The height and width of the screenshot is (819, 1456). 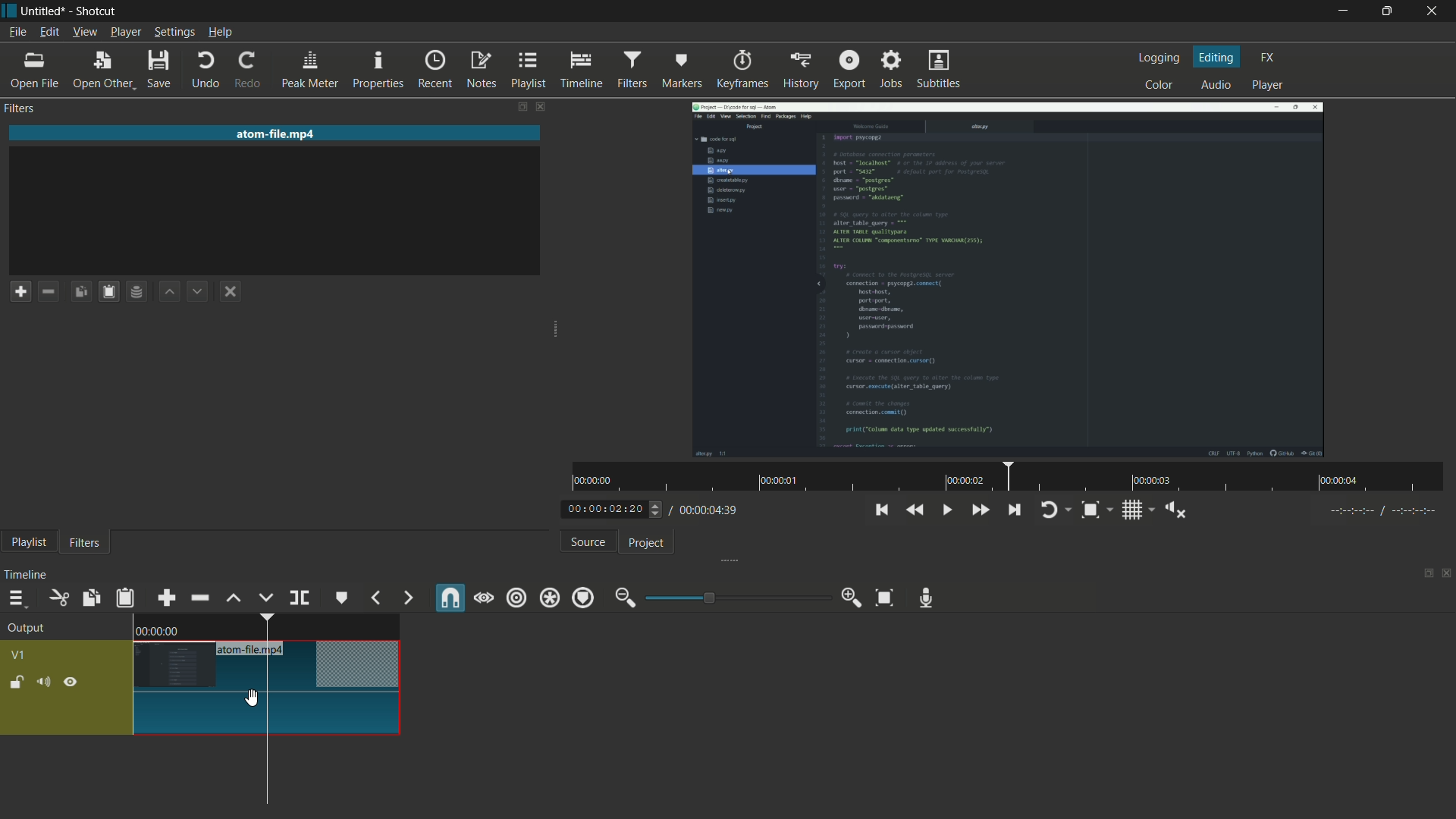 I want to click on player menu, so click(x=125, y=32).